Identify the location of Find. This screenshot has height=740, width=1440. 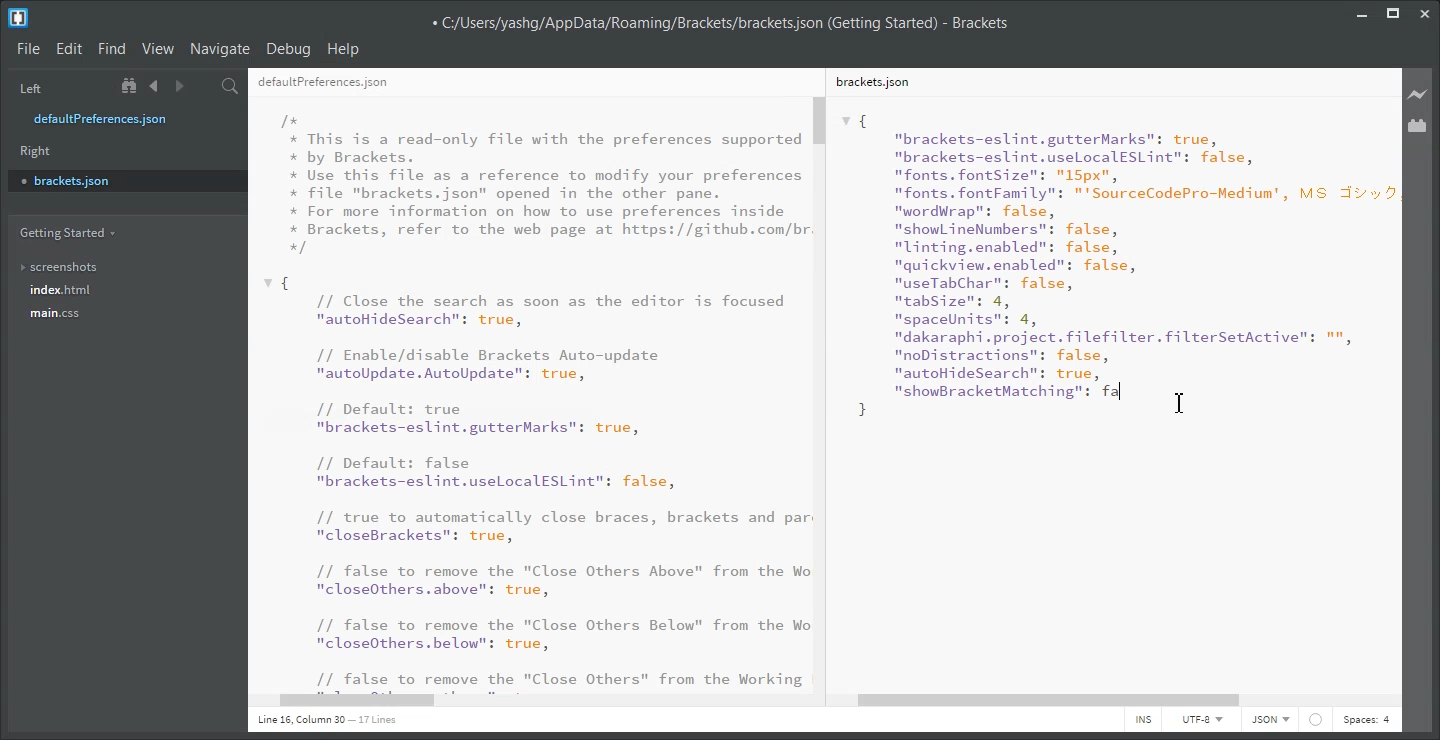
(112, 49).